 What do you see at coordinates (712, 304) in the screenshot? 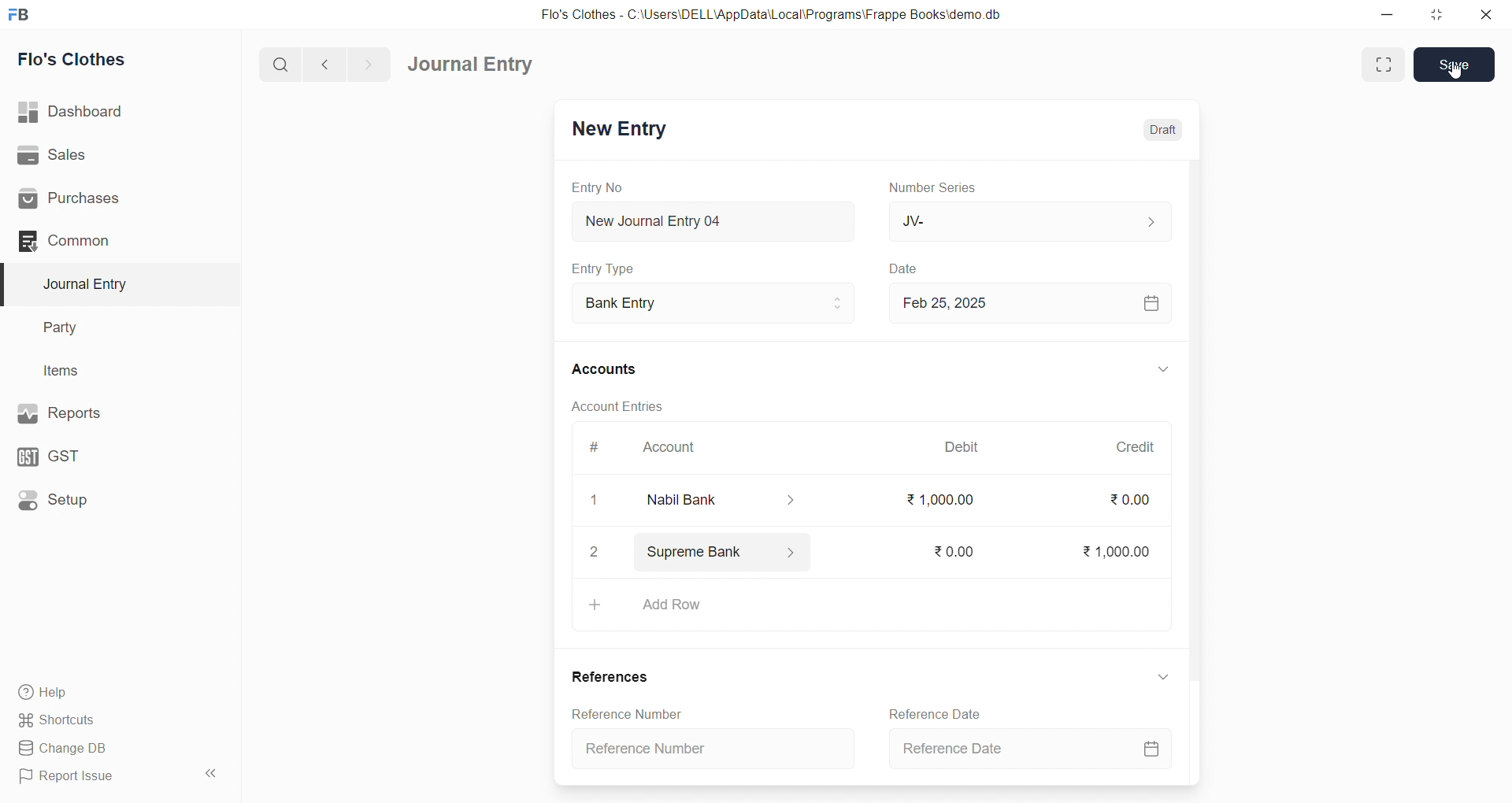
I see `Bank Entry` at bounding box center [712, 304].